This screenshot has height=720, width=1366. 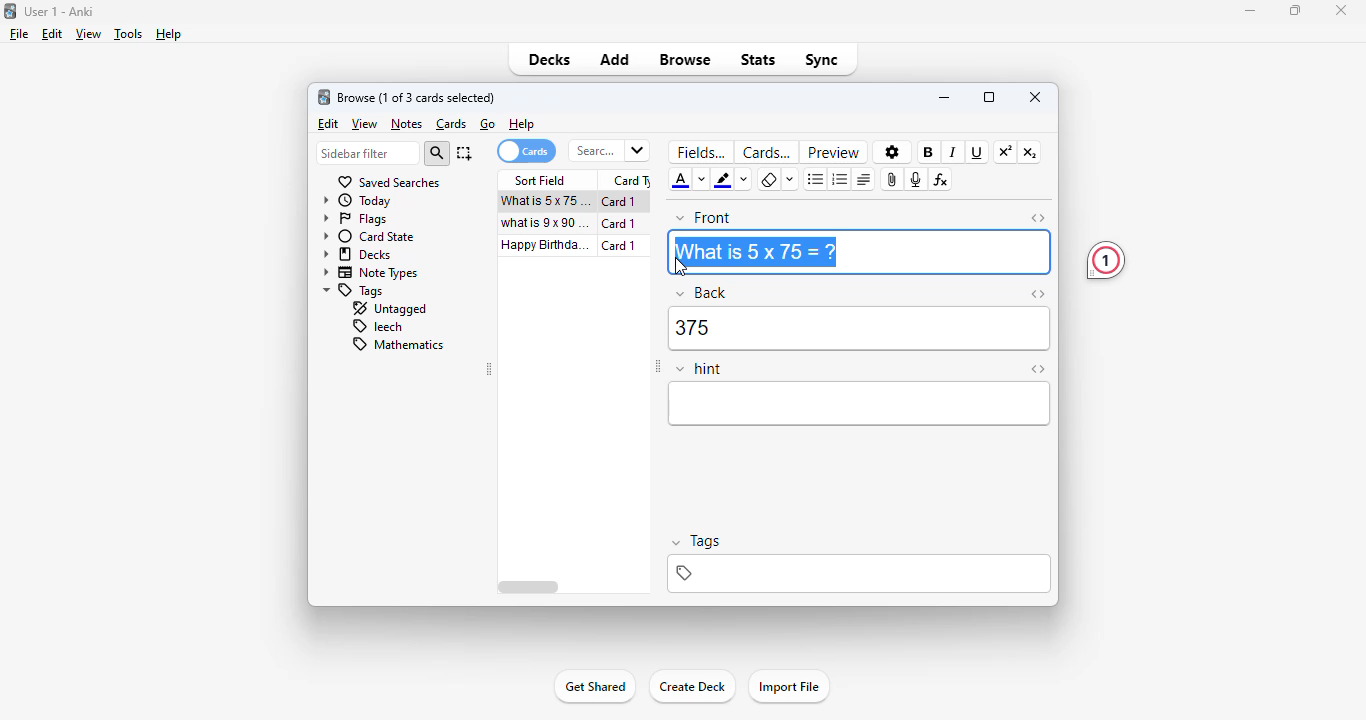 I want to click on cursor, so click(x=685, y=267).